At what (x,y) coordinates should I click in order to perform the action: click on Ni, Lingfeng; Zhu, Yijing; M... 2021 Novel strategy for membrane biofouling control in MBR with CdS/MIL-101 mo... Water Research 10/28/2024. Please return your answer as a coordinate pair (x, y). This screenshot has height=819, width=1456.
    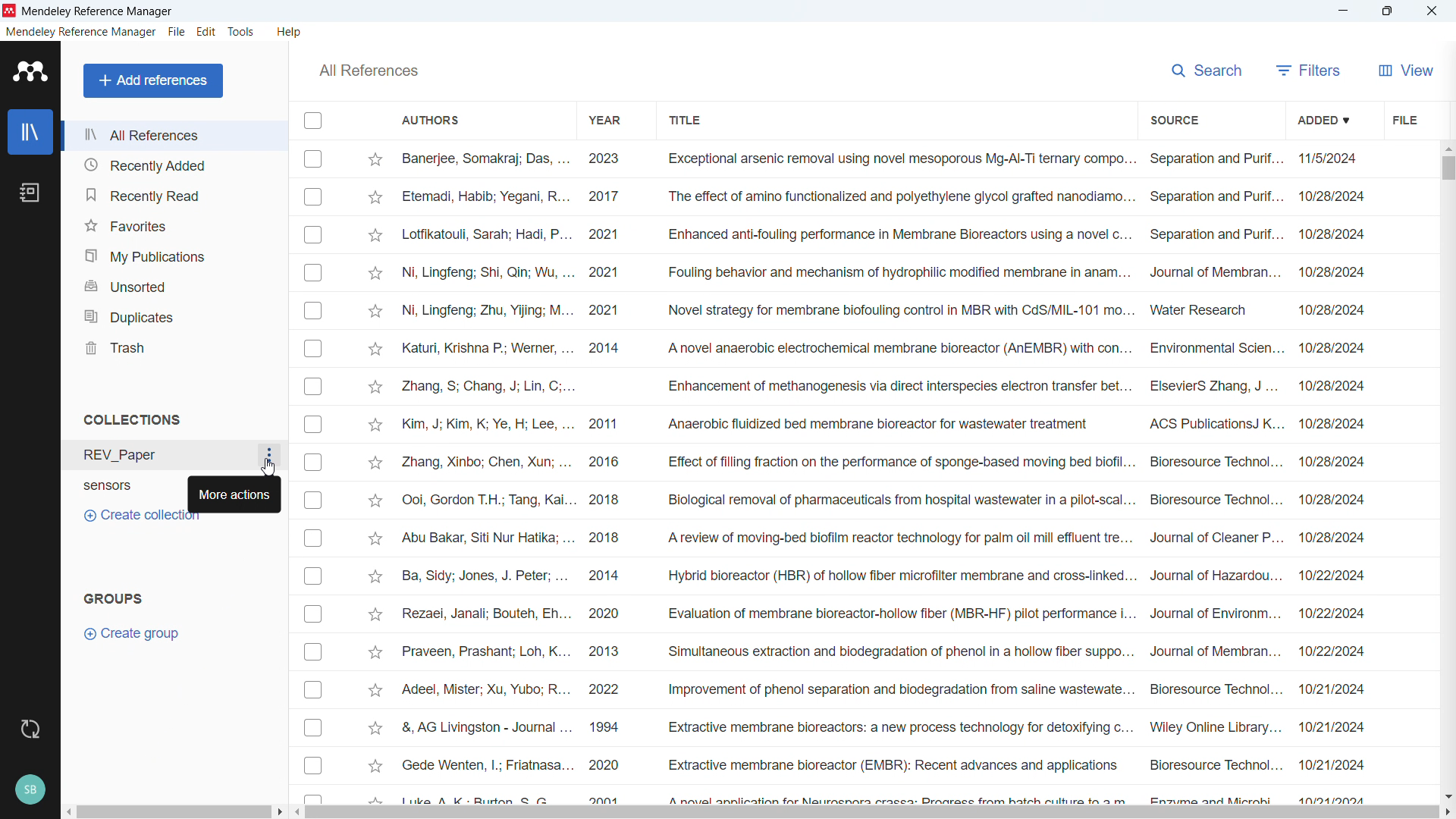
    Looking at the image, I should click on (885, 310).